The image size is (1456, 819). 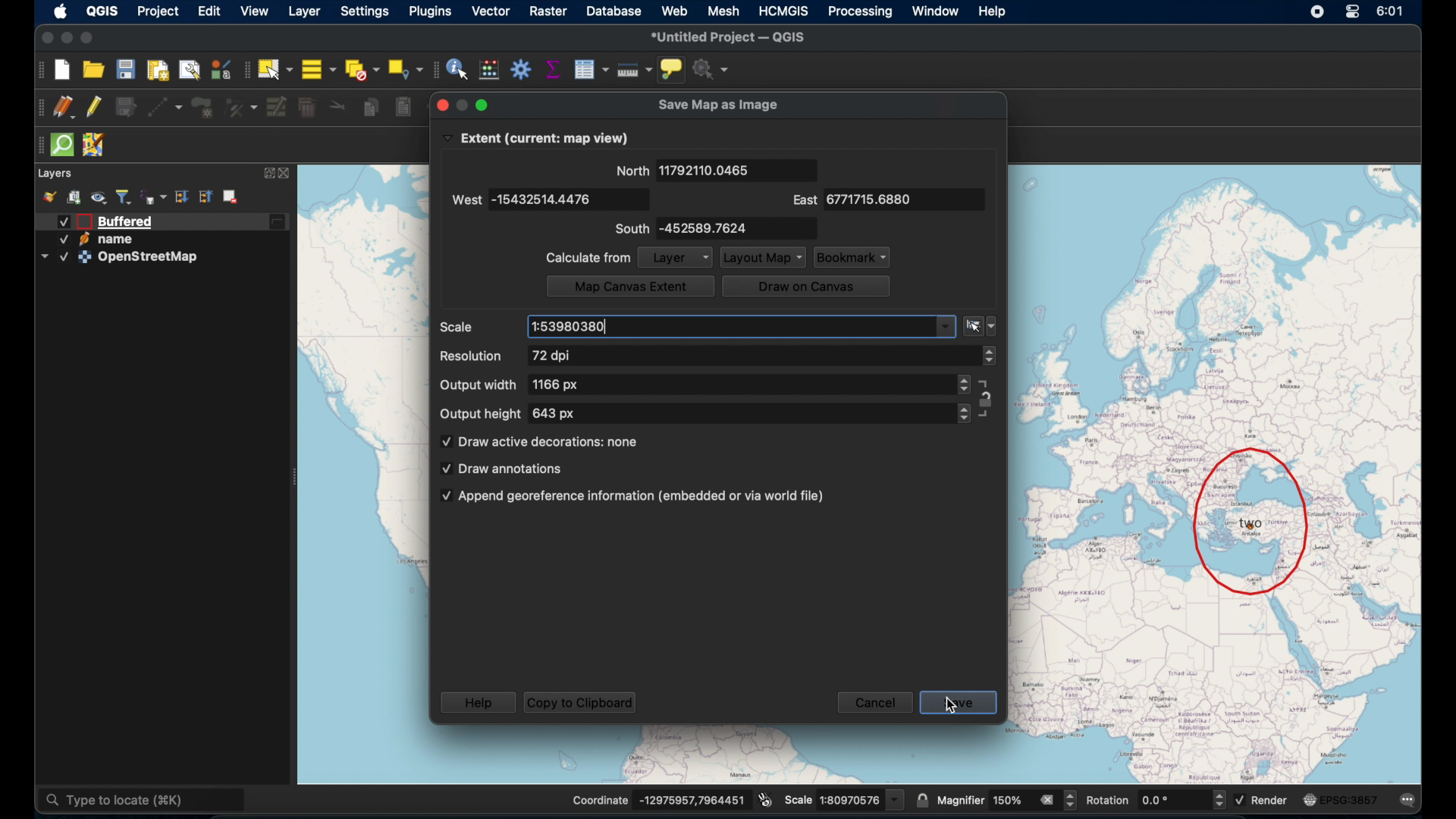 I want to click on selection toolbar, so click(x=243, y=69).